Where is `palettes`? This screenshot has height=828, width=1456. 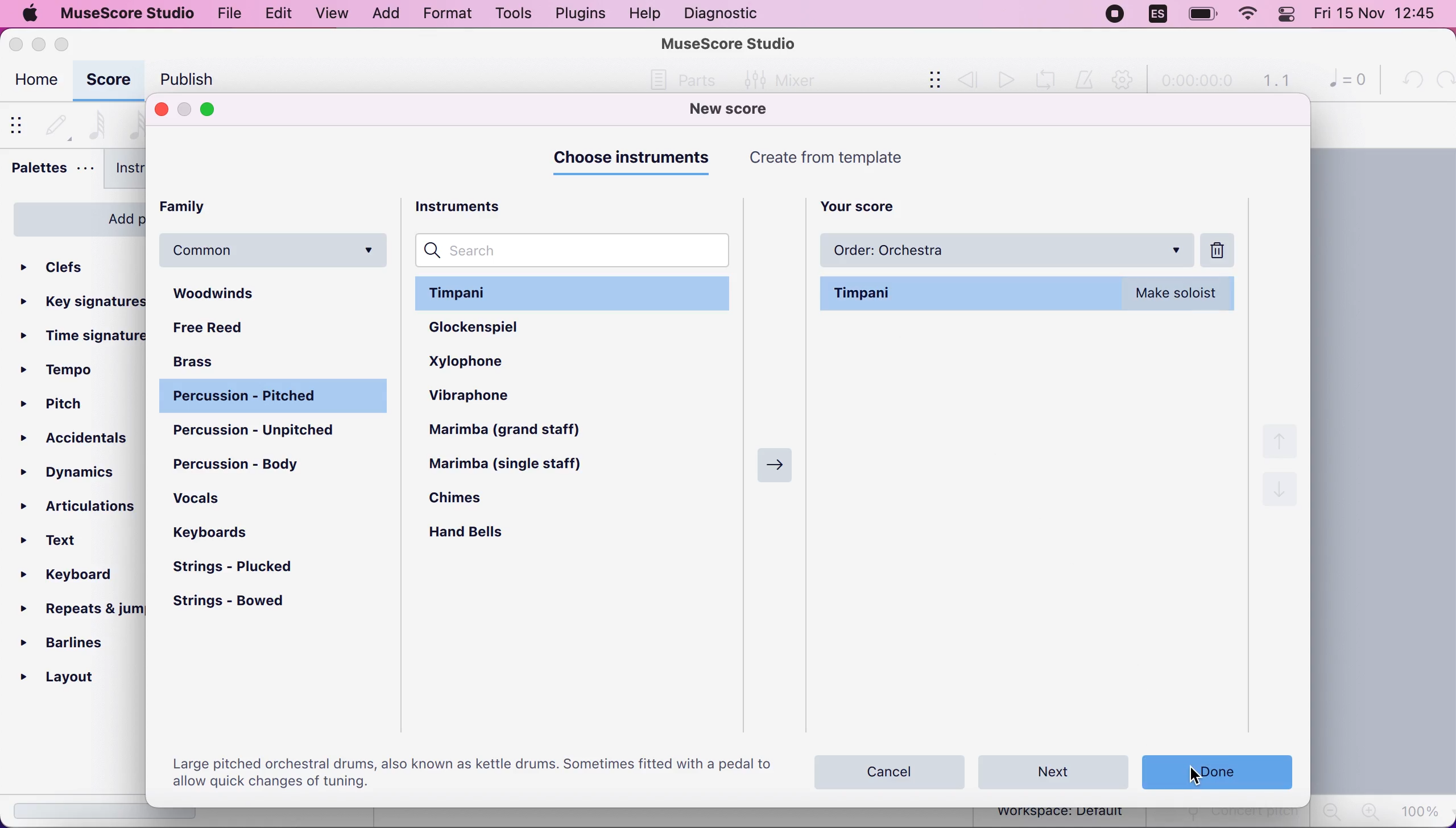 palettes is located at coordinates (51, 171).